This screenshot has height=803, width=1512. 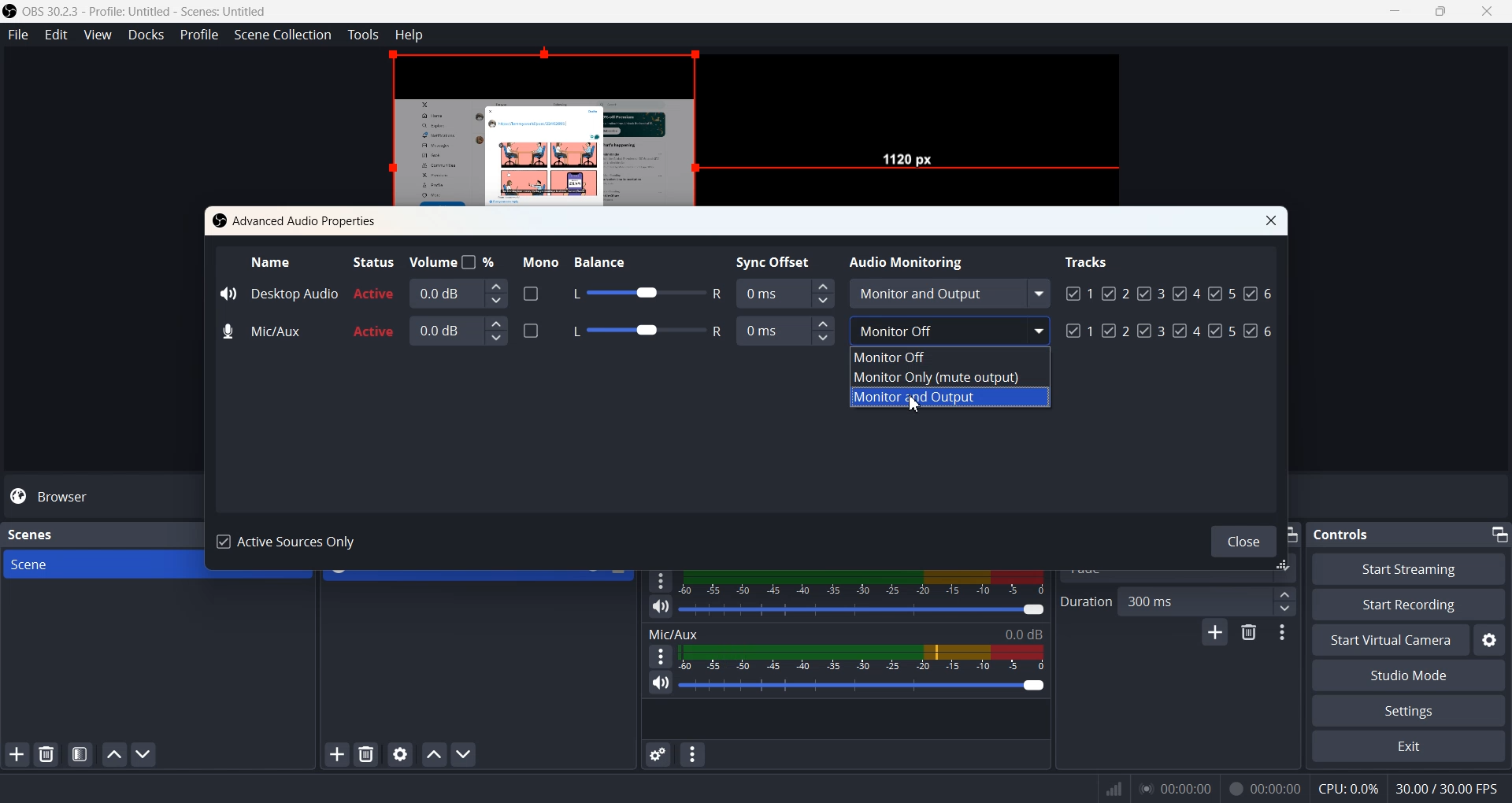 What do you see at coordinates (265, 332) in the screenshot?
I see `Mic/Aux` at bounding box center [265, 332].